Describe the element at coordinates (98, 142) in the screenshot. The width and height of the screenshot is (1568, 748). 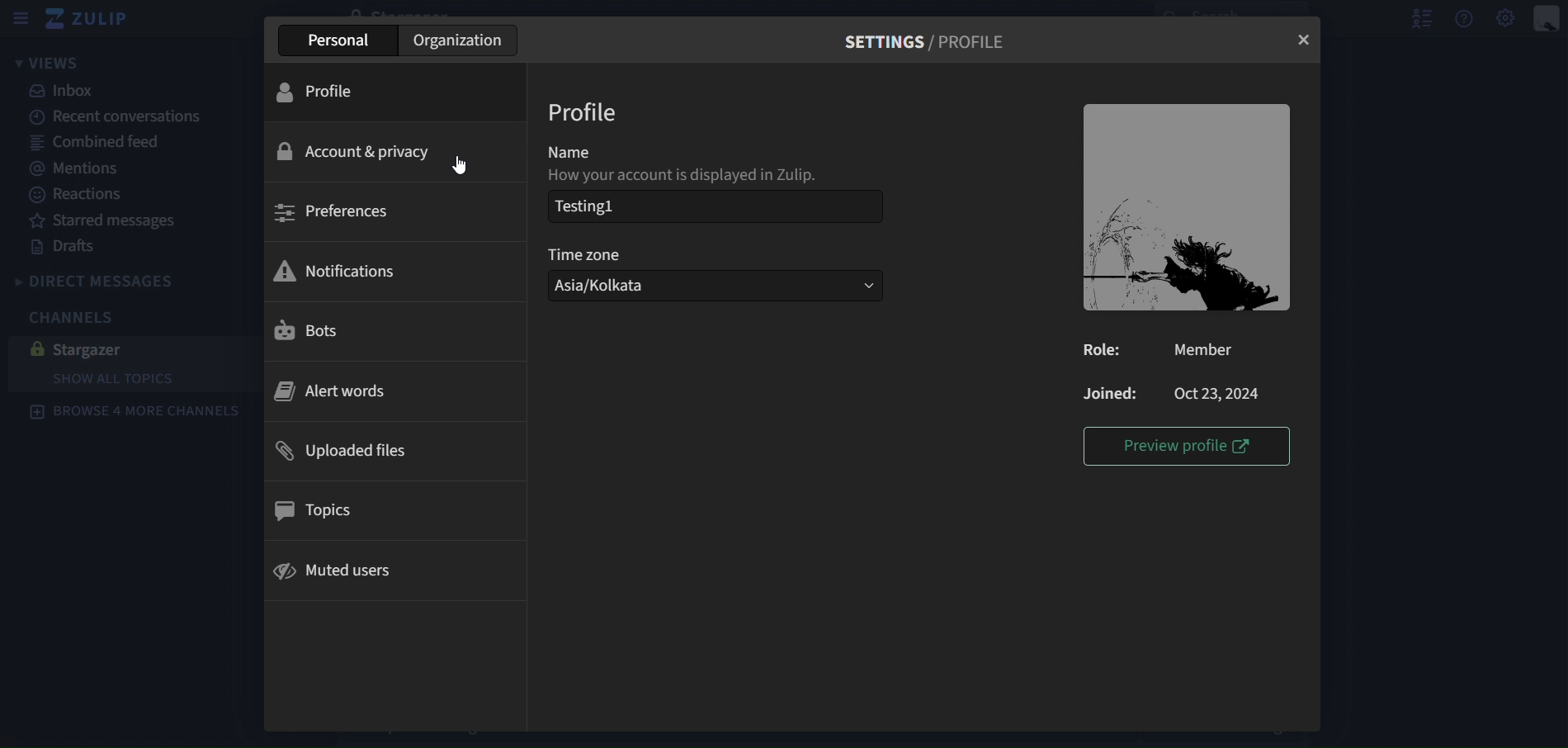
I see `combined feed` at that location.